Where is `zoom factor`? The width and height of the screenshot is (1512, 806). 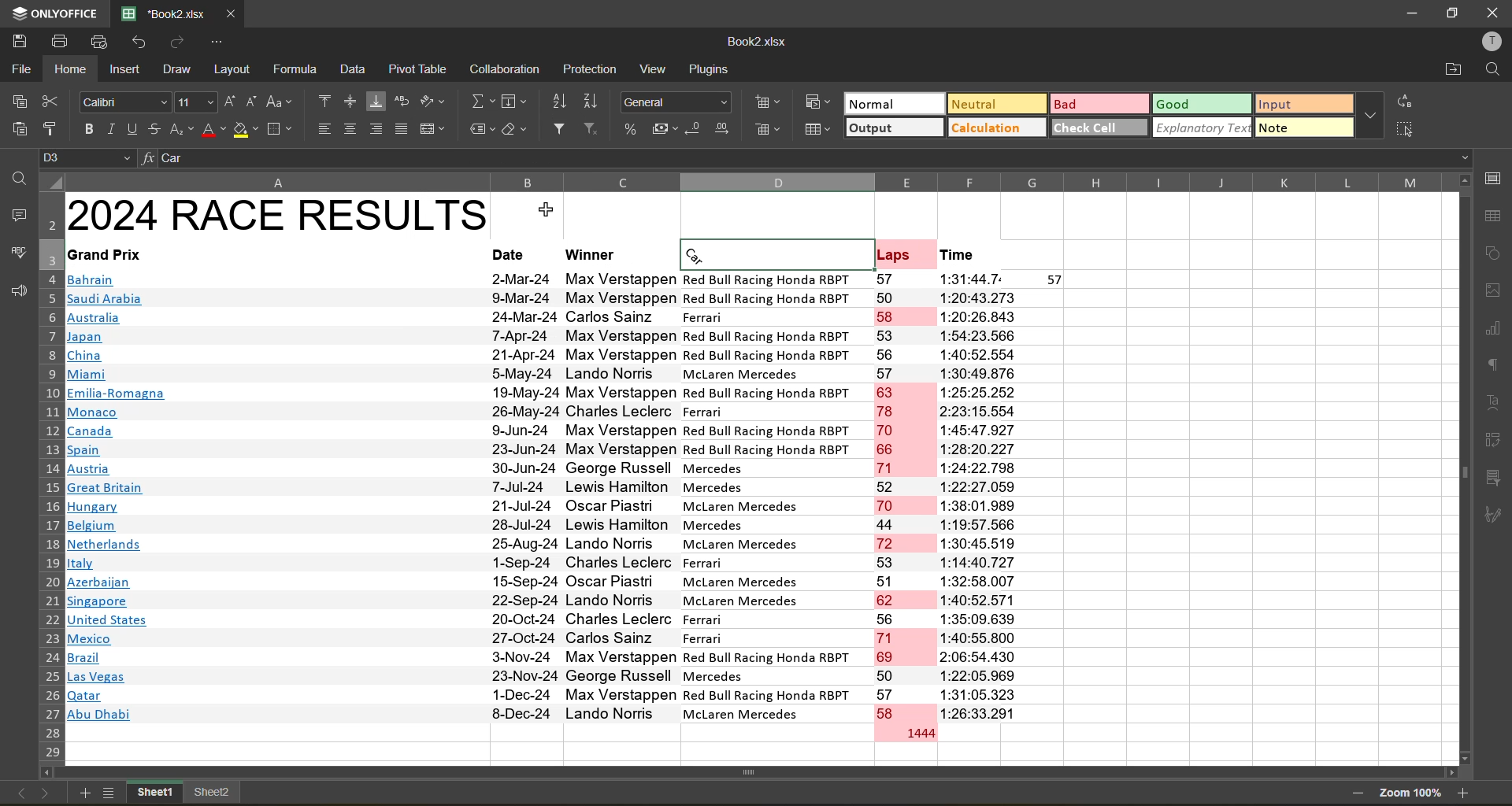
zoom factor is located at coordinates (1411, 793).